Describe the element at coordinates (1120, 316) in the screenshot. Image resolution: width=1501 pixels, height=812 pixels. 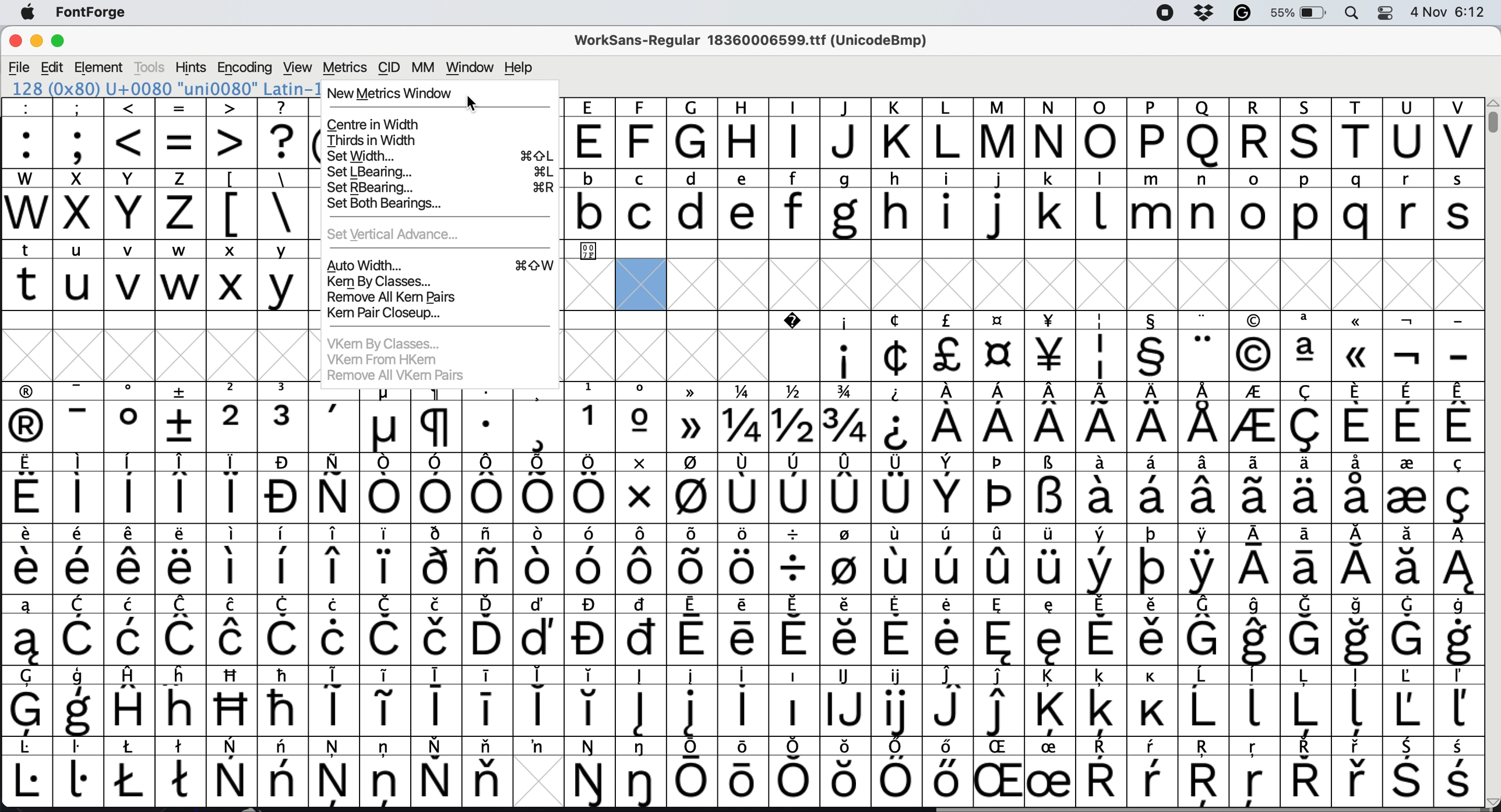
I see `special characters` at that location.